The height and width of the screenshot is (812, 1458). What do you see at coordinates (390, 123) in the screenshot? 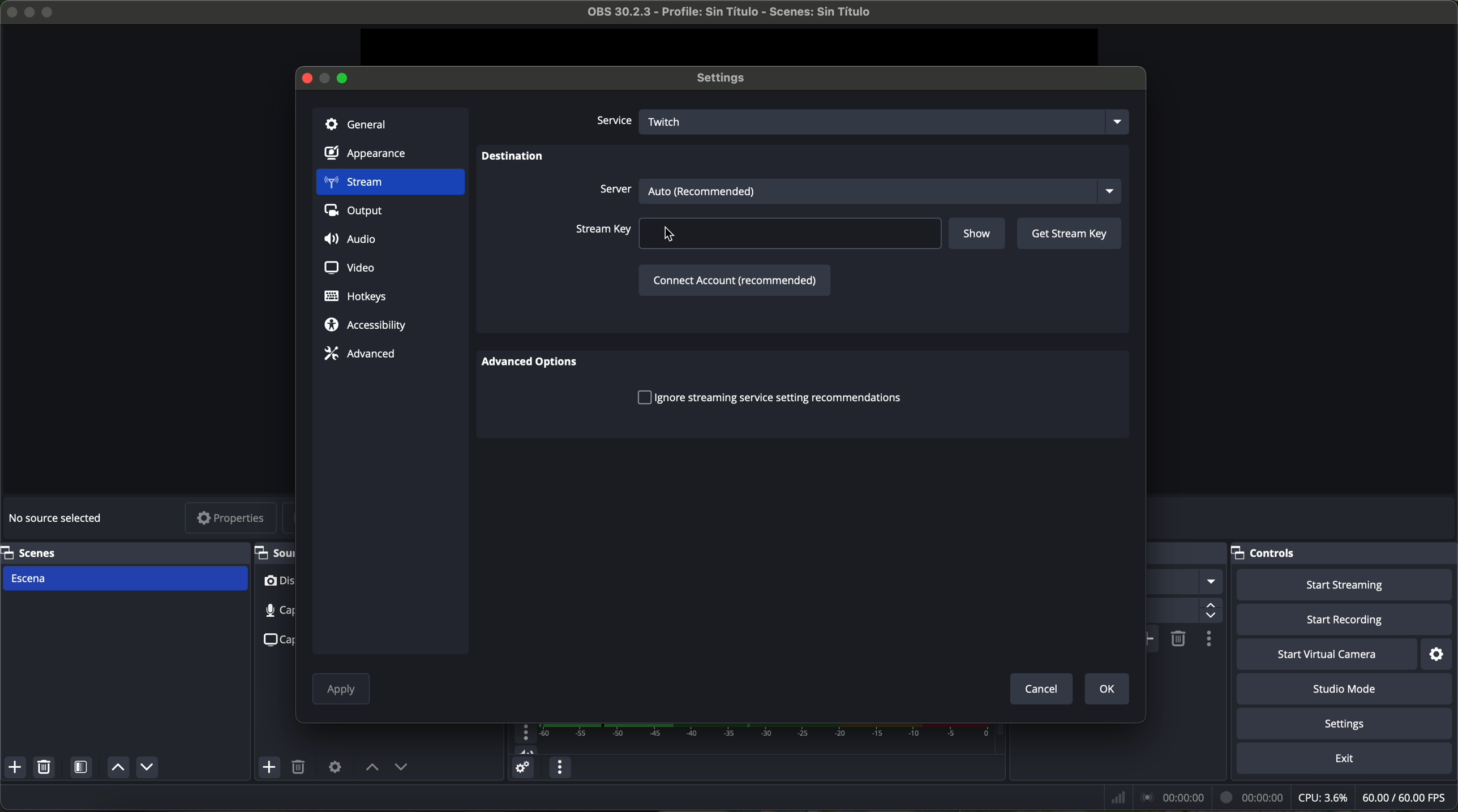
I see `general` at bounding box center [390, 123].